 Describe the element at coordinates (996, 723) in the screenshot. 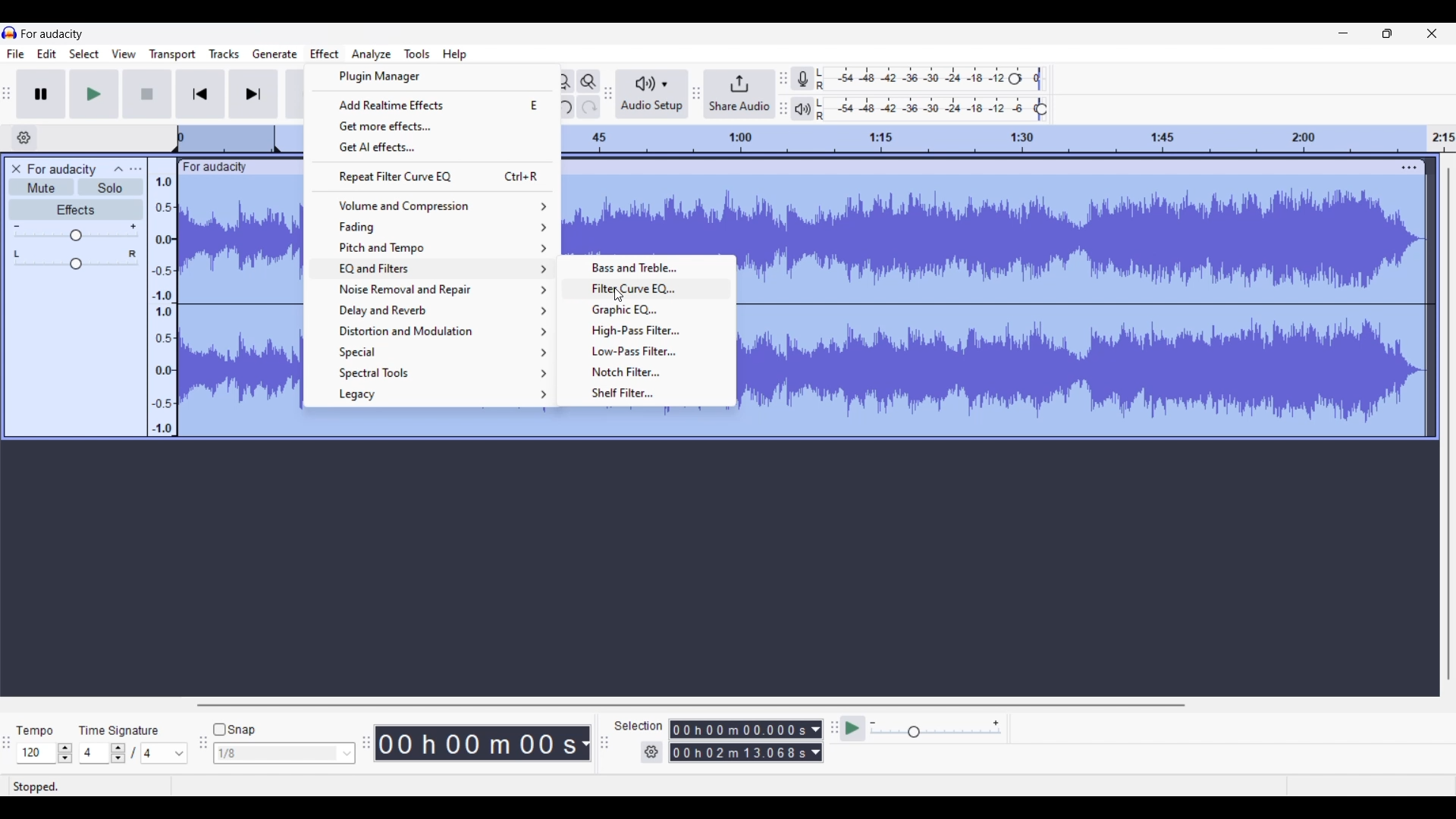

I see `Max. playback speed` at that location.